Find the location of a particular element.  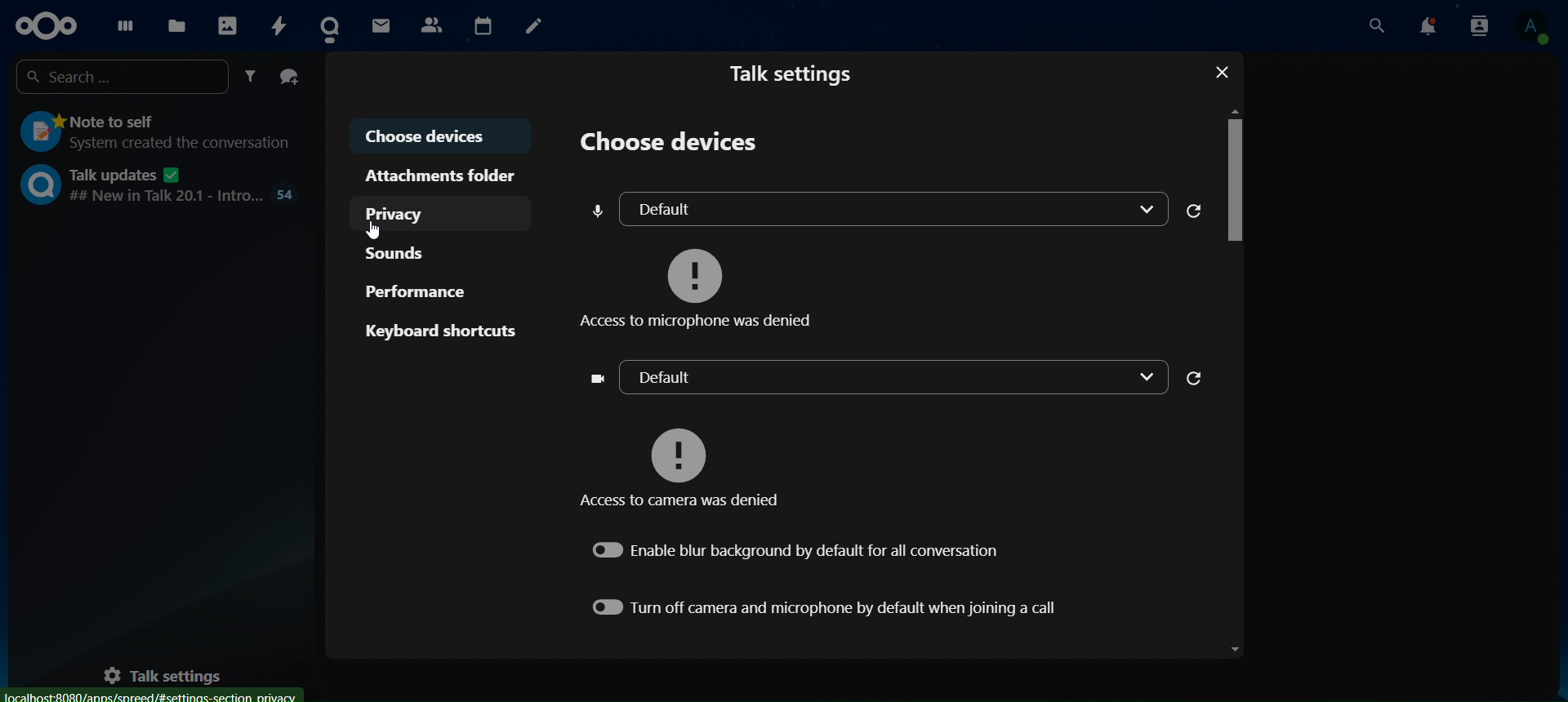

filter is located at coordinates (253, 77).